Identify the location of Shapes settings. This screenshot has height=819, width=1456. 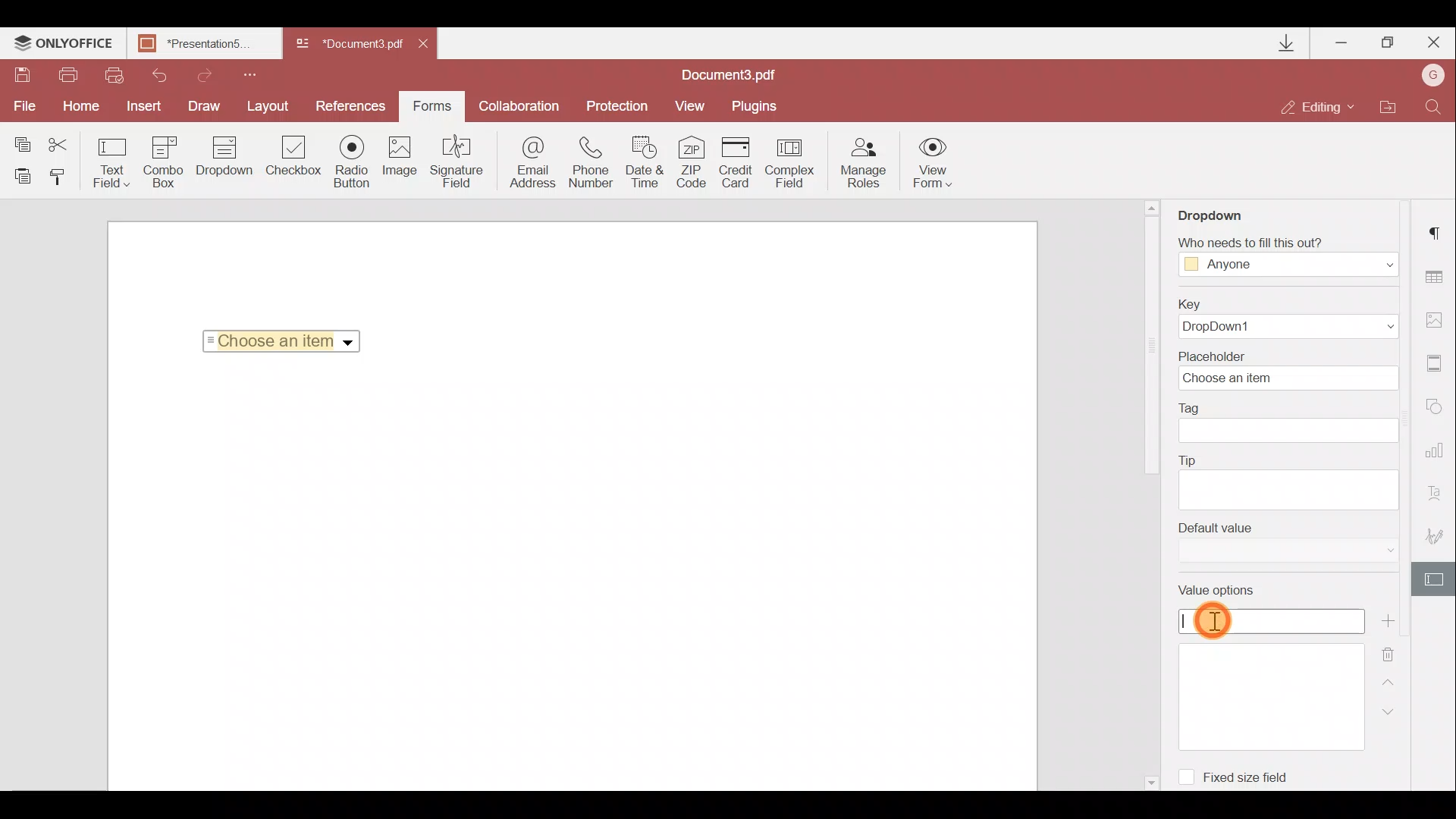
(1437, 409).